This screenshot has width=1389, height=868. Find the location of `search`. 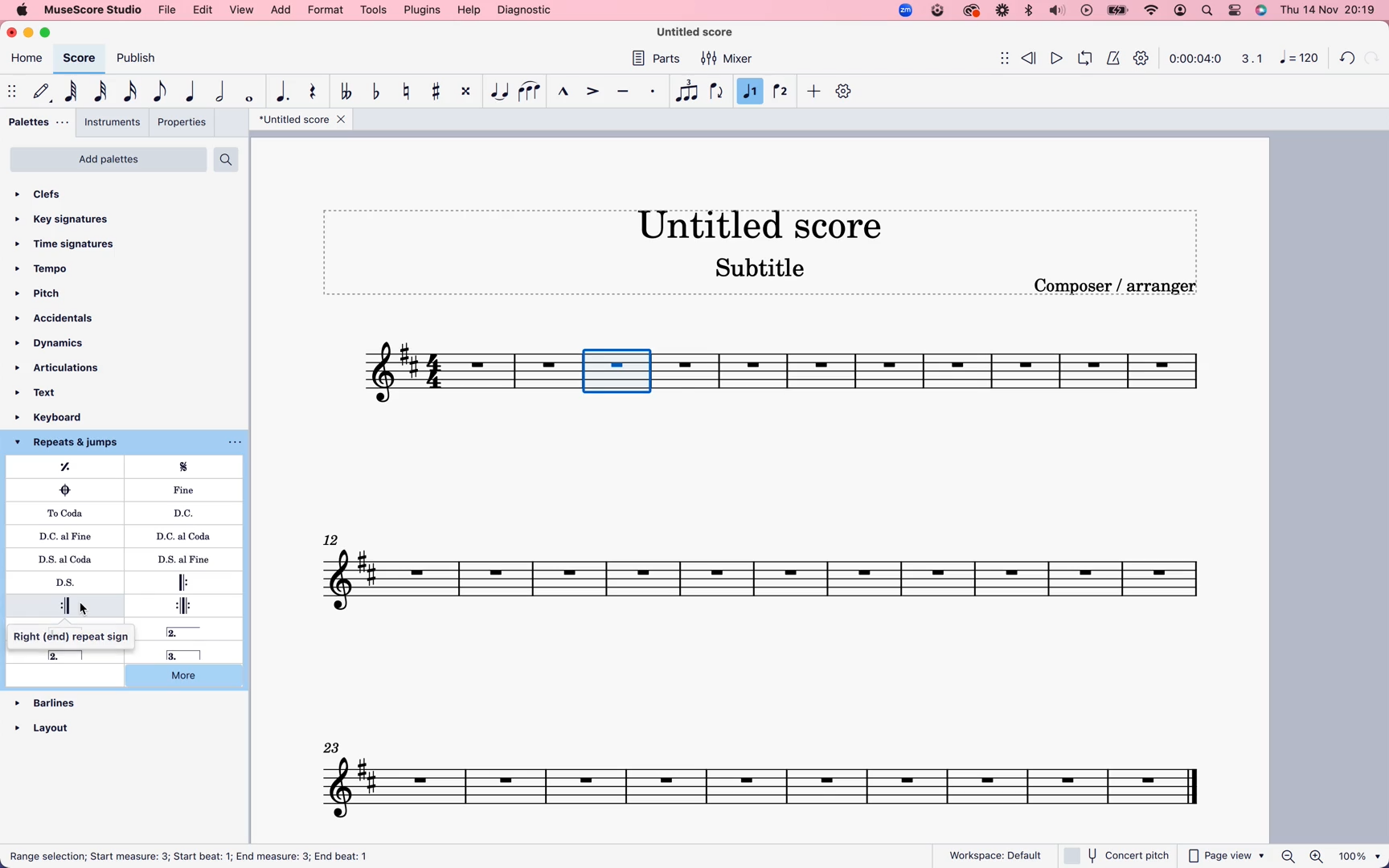

search is located at coordinates (1208, 10).